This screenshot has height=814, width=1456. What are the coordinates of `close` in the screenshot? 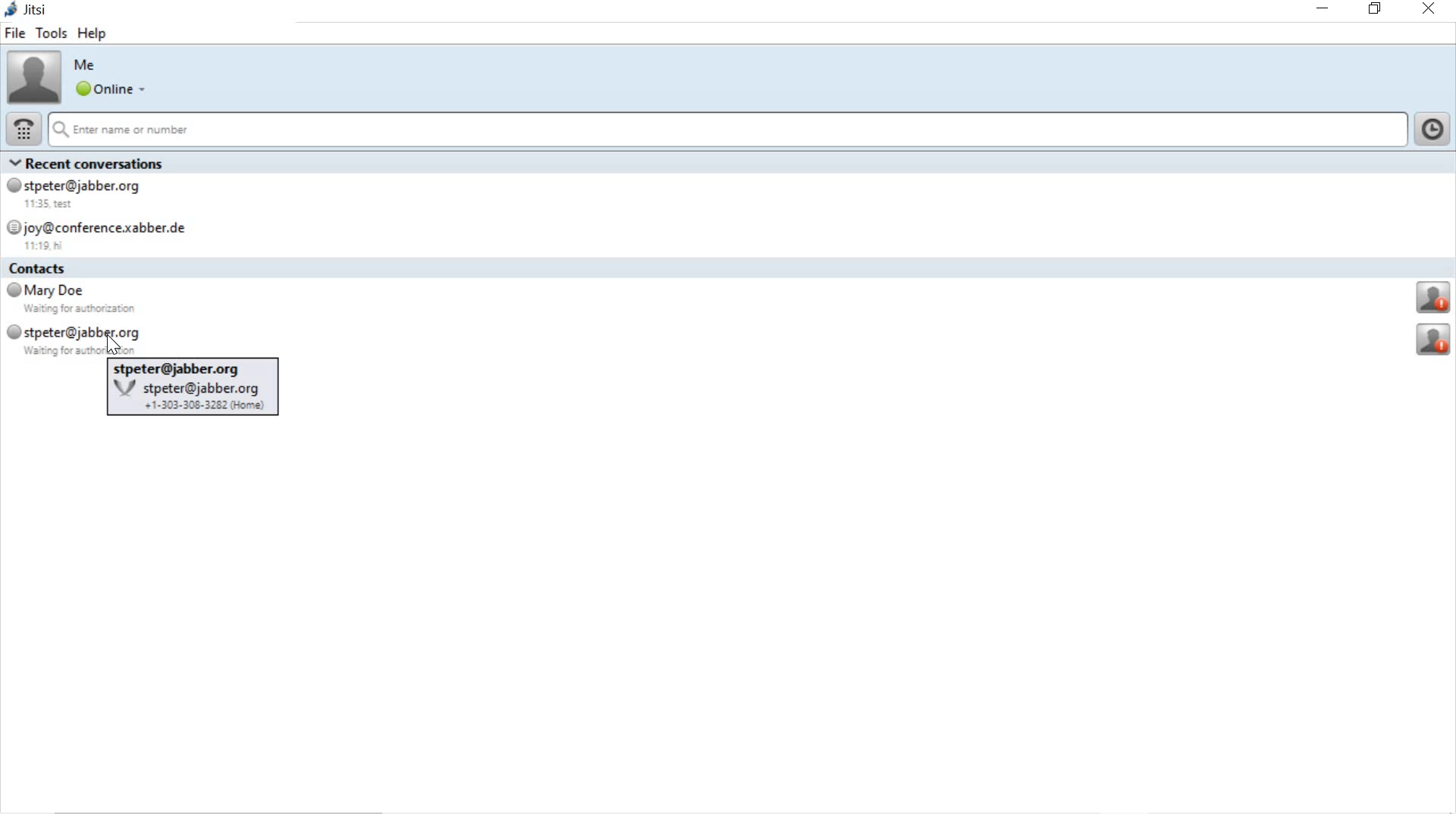 It's located at (1429, 9).